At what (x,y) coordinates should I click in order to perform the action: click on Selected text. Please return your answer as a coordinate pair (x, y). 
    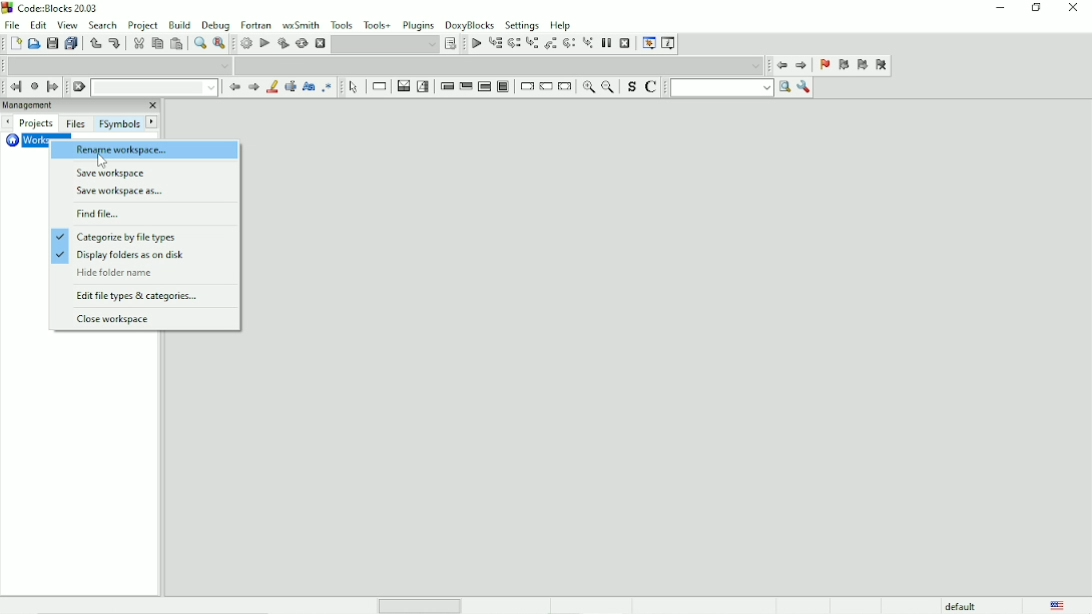
    Looking at the image, I should click on (289, 87).